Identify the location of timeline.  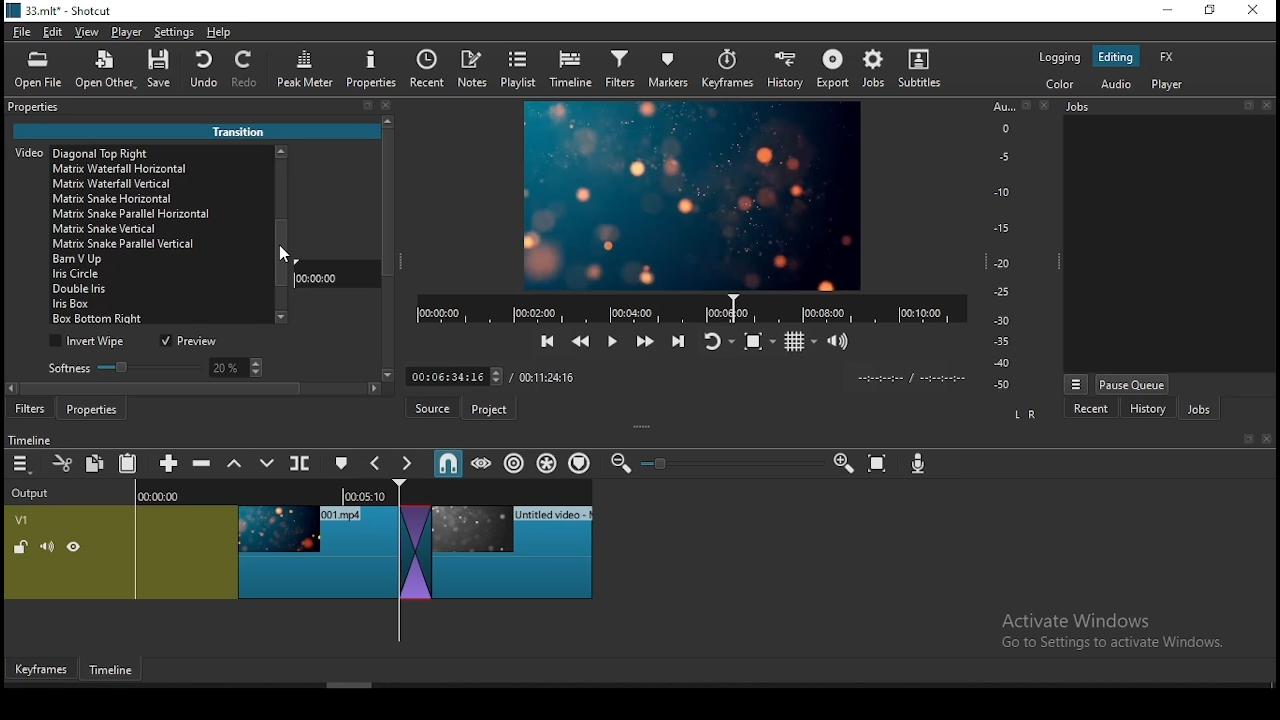
(571, 70).